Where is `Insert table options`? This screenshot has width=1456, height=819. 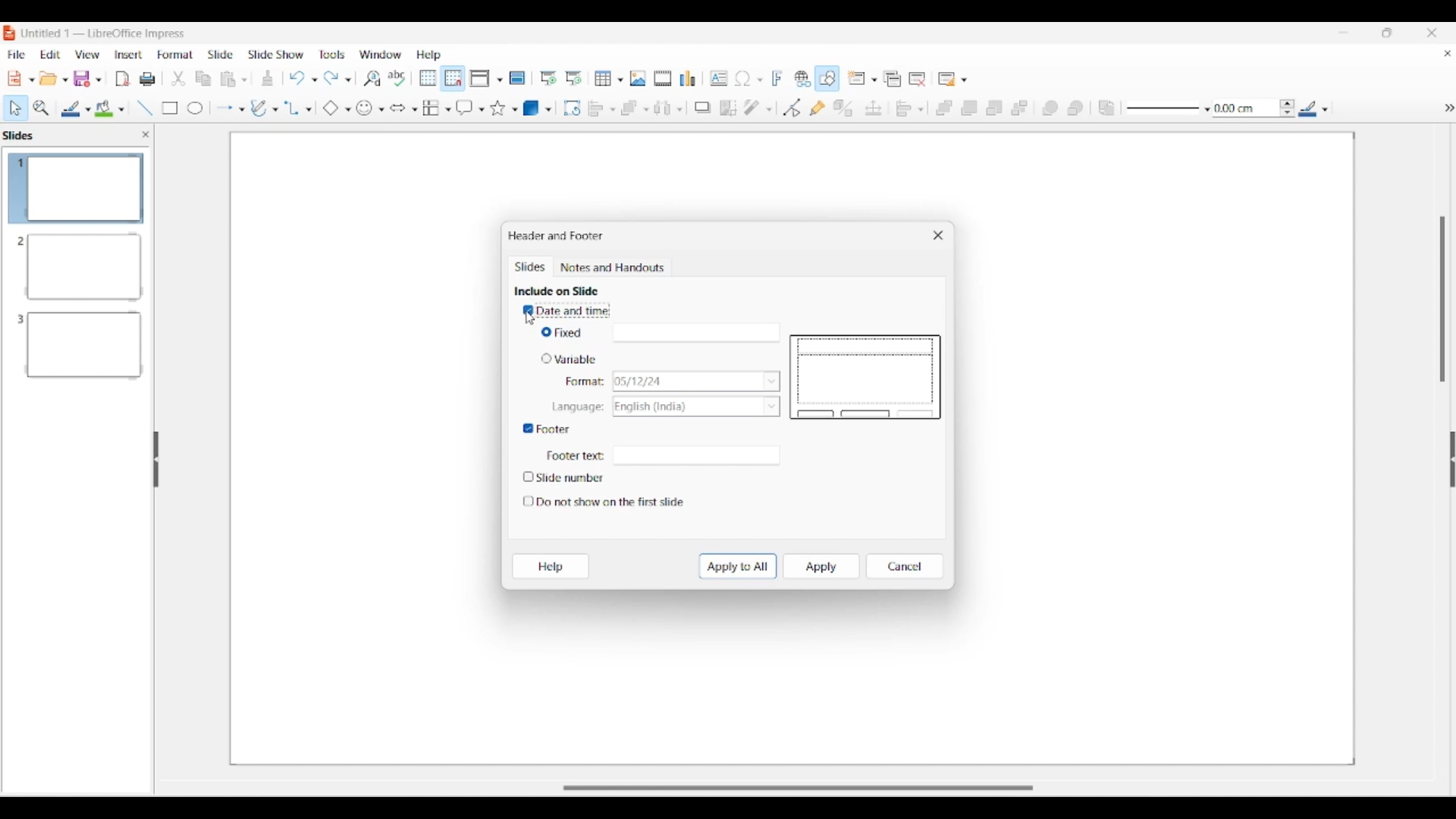
Insert table options is located at coordinates (609, 78).